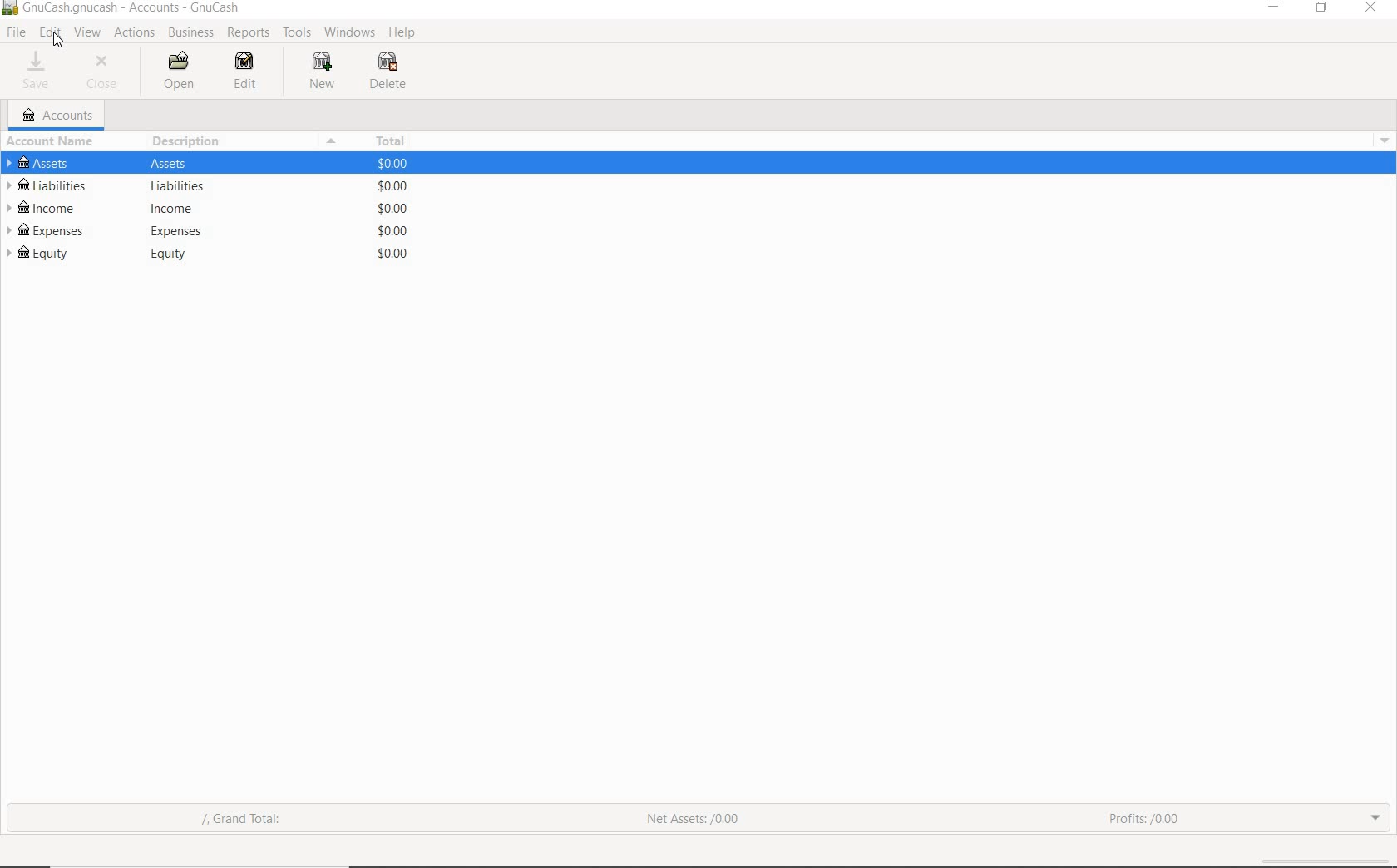 Image resolution: width=1397 pixels, height=868 pixels. What do you see at coordinates (1383, 137) in the screenshot?
I see `` at bounding box center [1383, 137].